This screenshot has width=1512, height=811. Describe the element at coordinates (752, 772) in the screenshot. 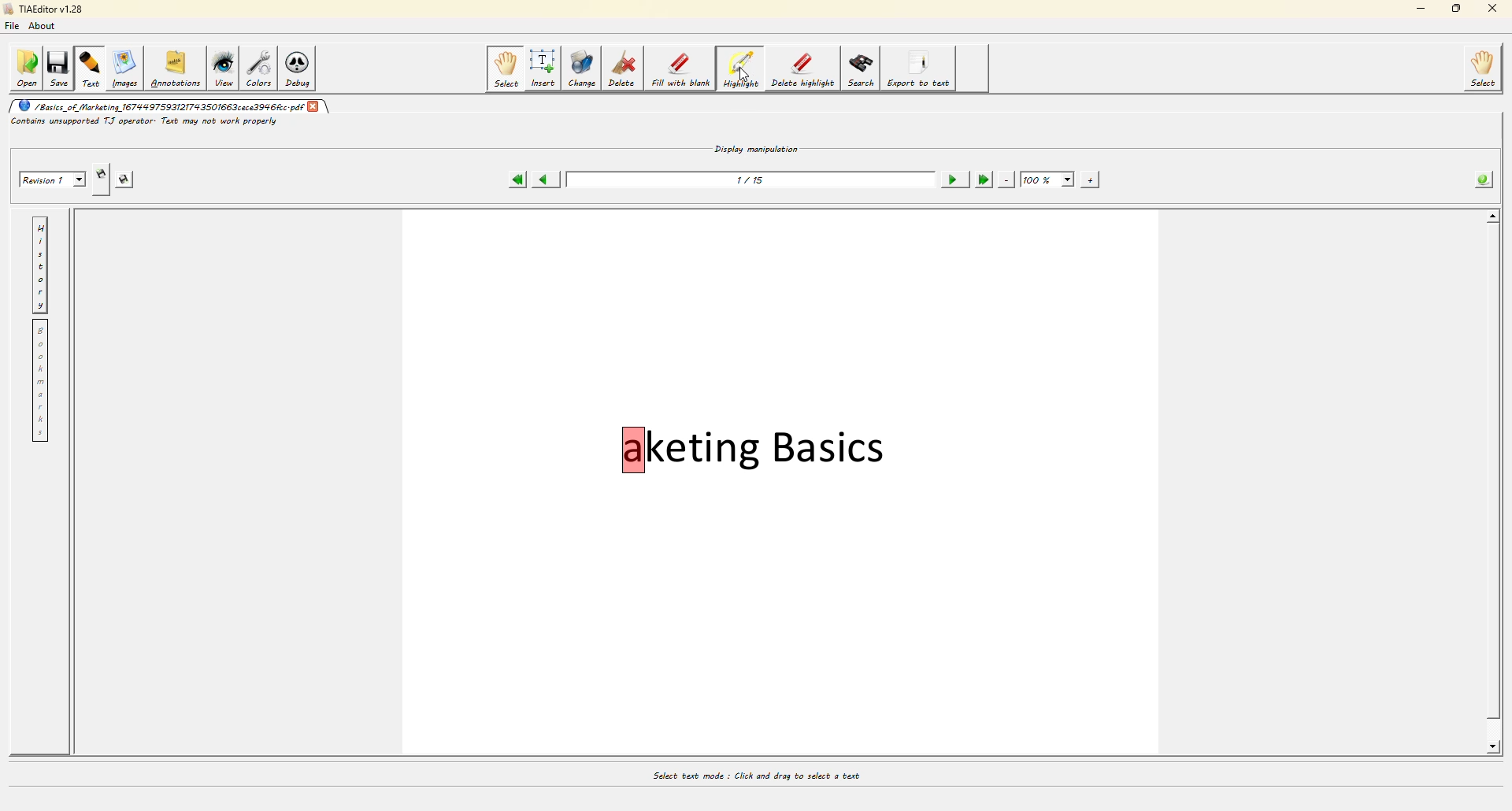

I see `select text mode: click and drag to select` at that location.